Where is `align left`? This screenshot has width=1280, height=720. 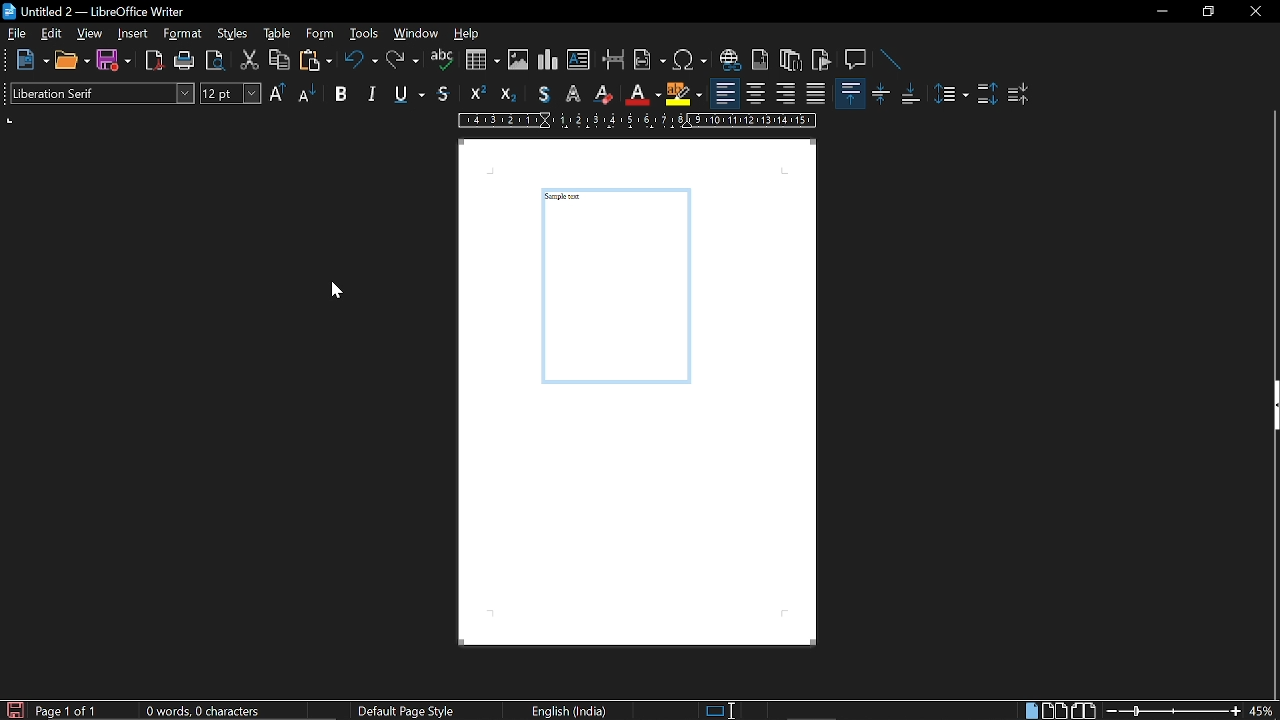
align left is located at coordinates (726, 94).